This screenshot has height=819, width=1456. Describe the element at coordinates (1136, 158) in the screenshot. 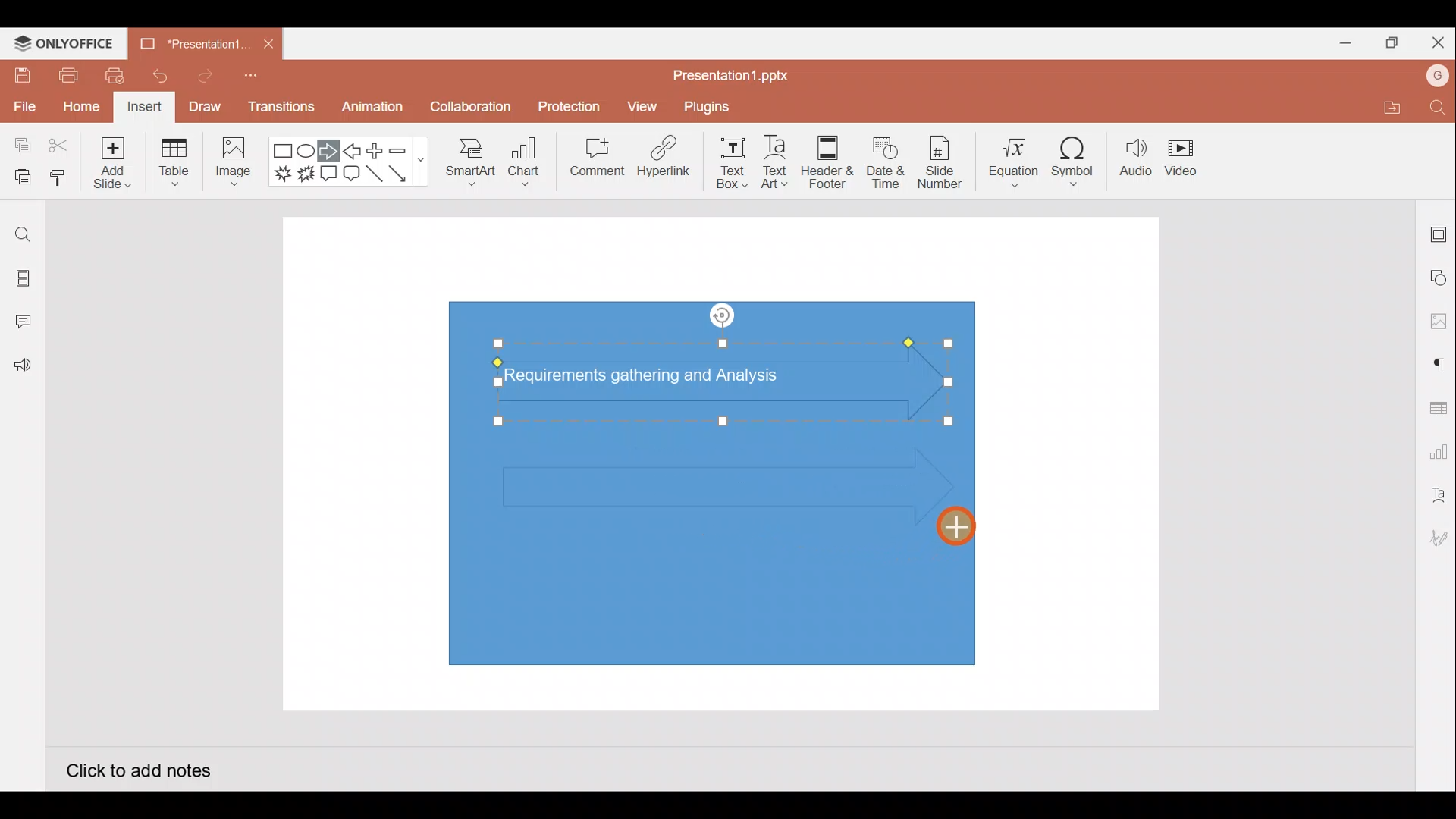

I see `Audio` at that location.